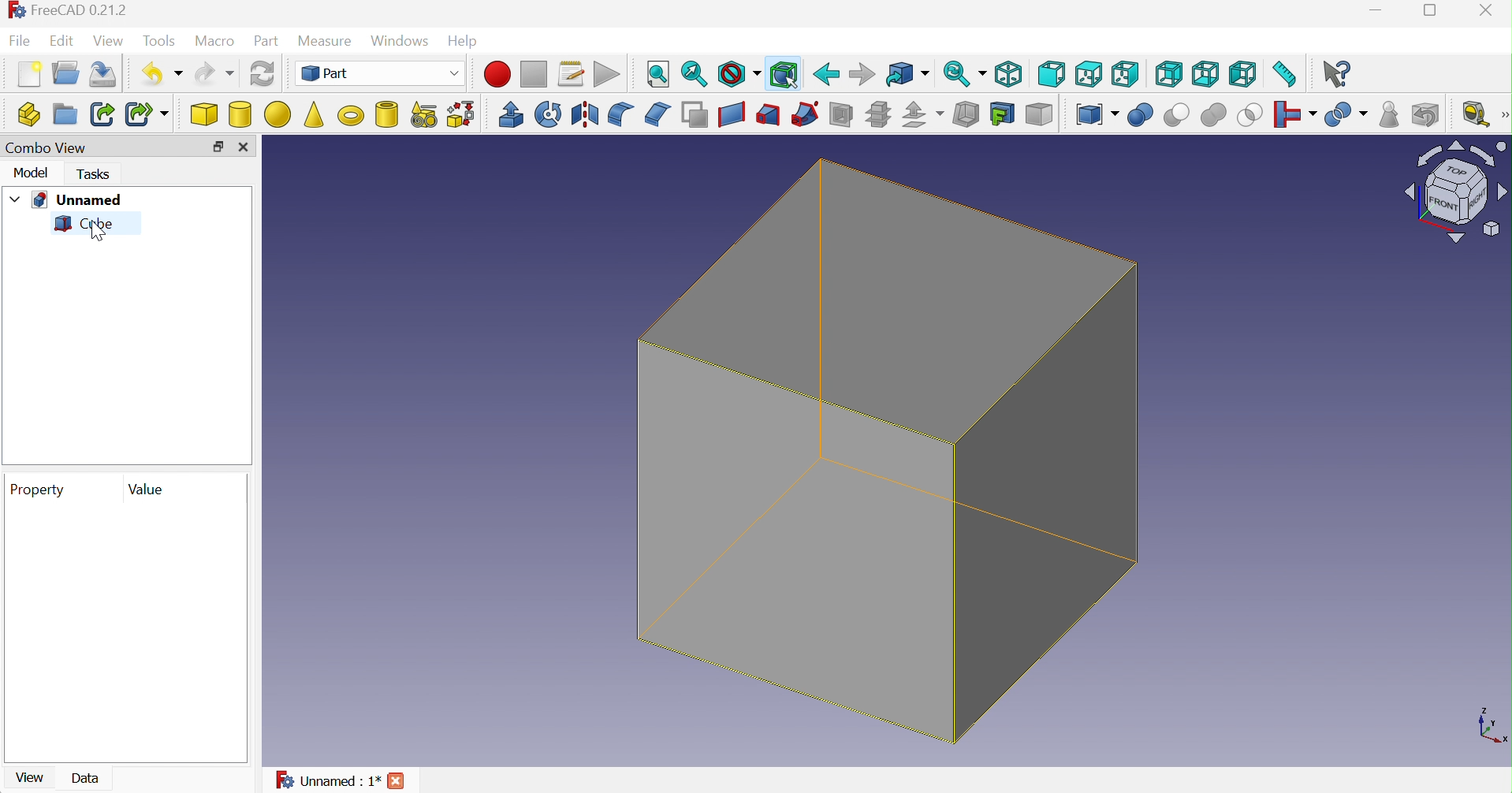 The image size is (1512, 793). I want to click on Stop macro recording, so click(534, 75).